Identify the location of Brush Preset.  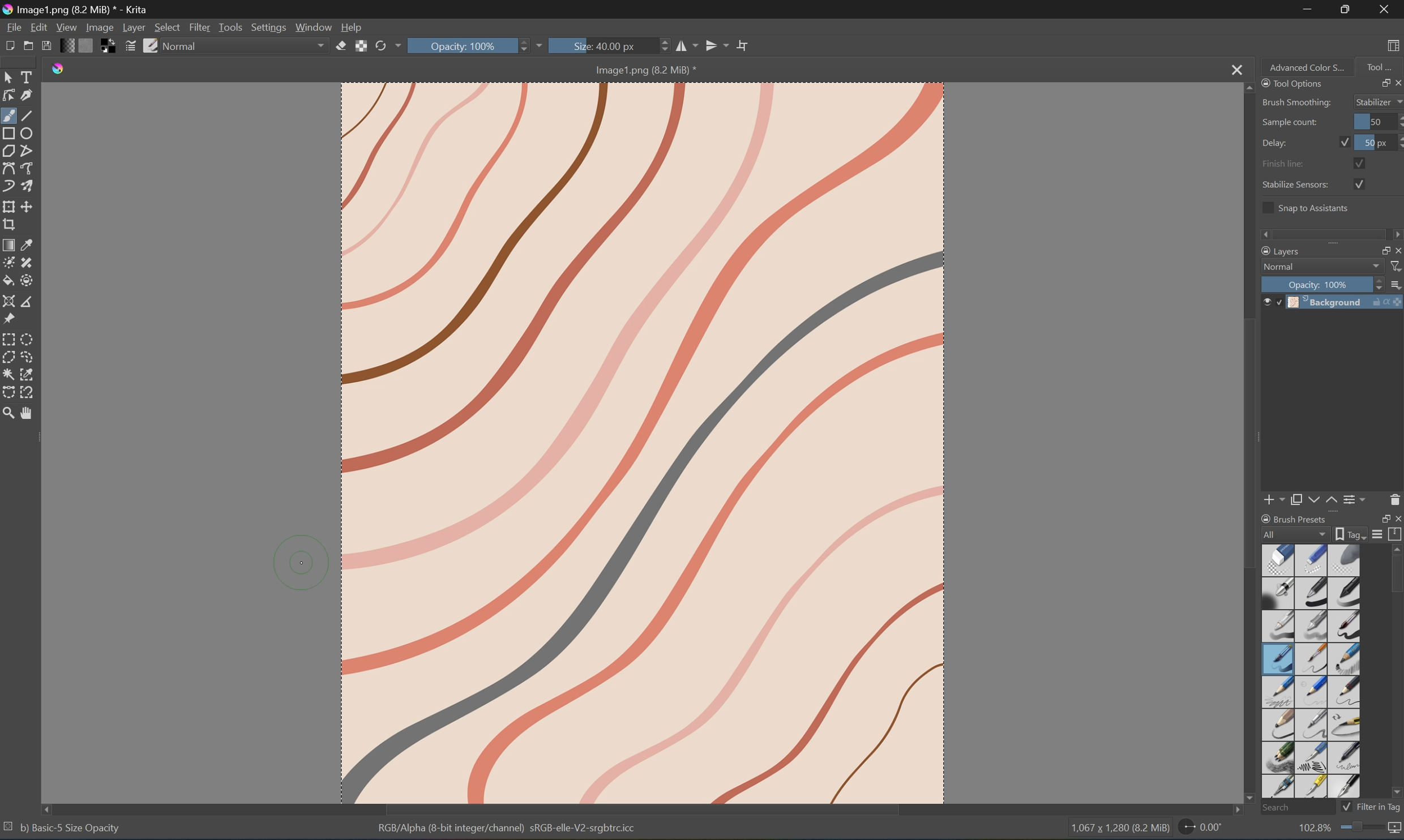
(1294, 517).